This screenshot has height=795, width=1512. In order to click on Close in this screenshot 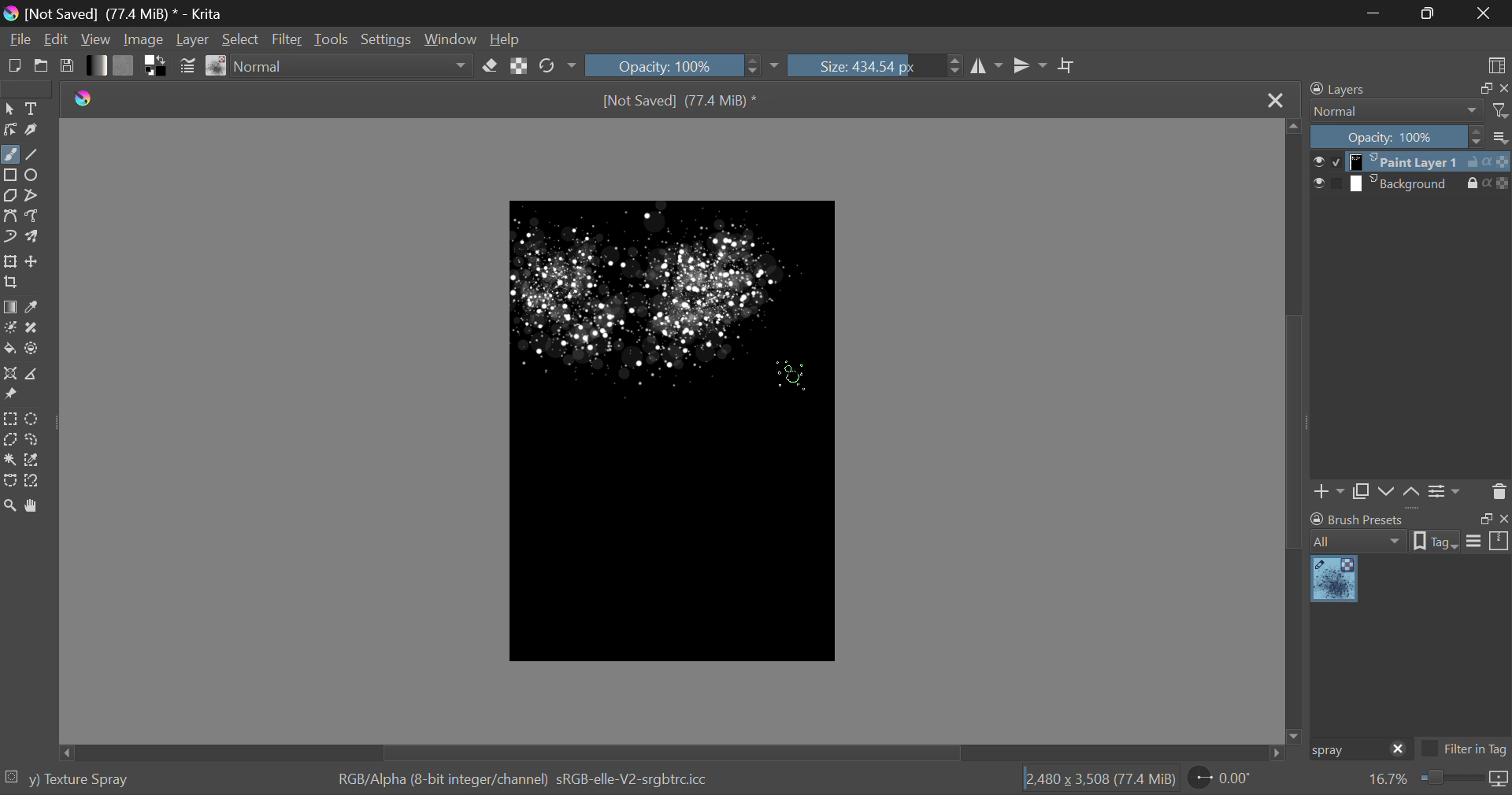, I will do `click(1275, 102)`.